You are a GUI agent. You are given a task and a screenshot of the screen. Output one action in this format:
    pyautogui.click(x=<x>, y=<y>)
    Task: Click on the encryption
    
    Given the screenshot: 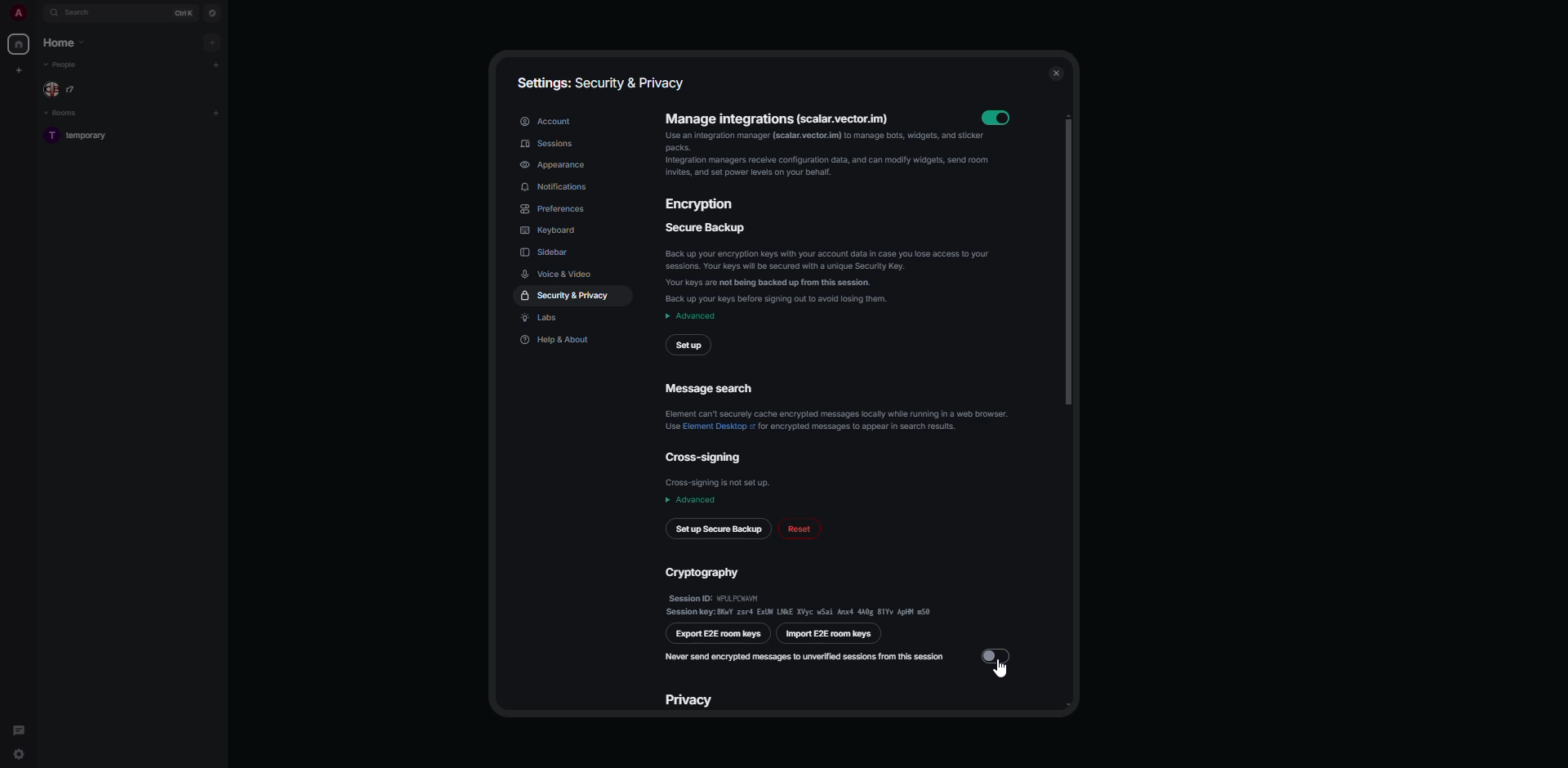 What is the action you would take?
    pyautogui.click(x=701, y=204)
    